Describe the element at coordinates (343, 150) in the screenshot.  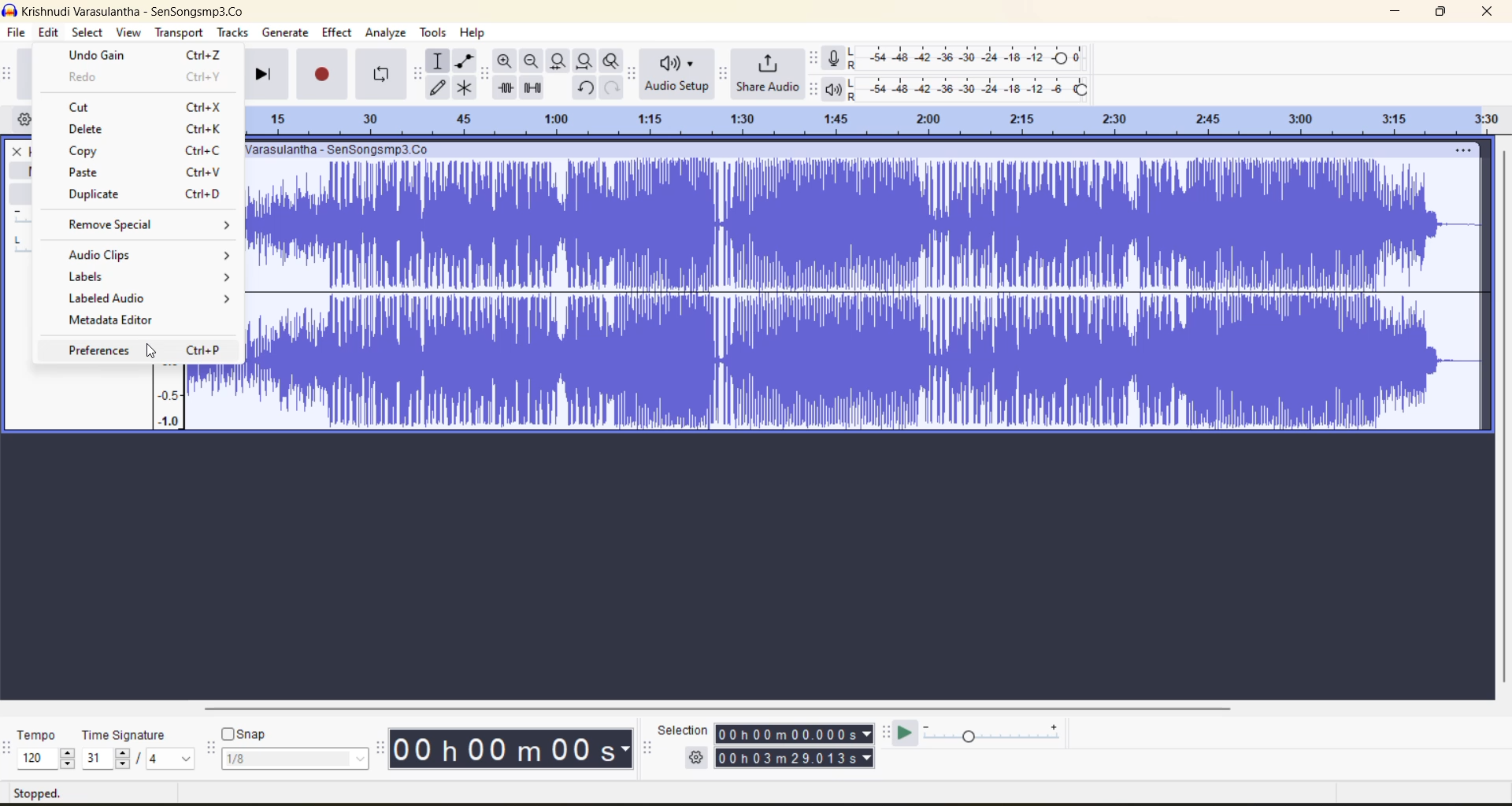
I see `track name` at that location.